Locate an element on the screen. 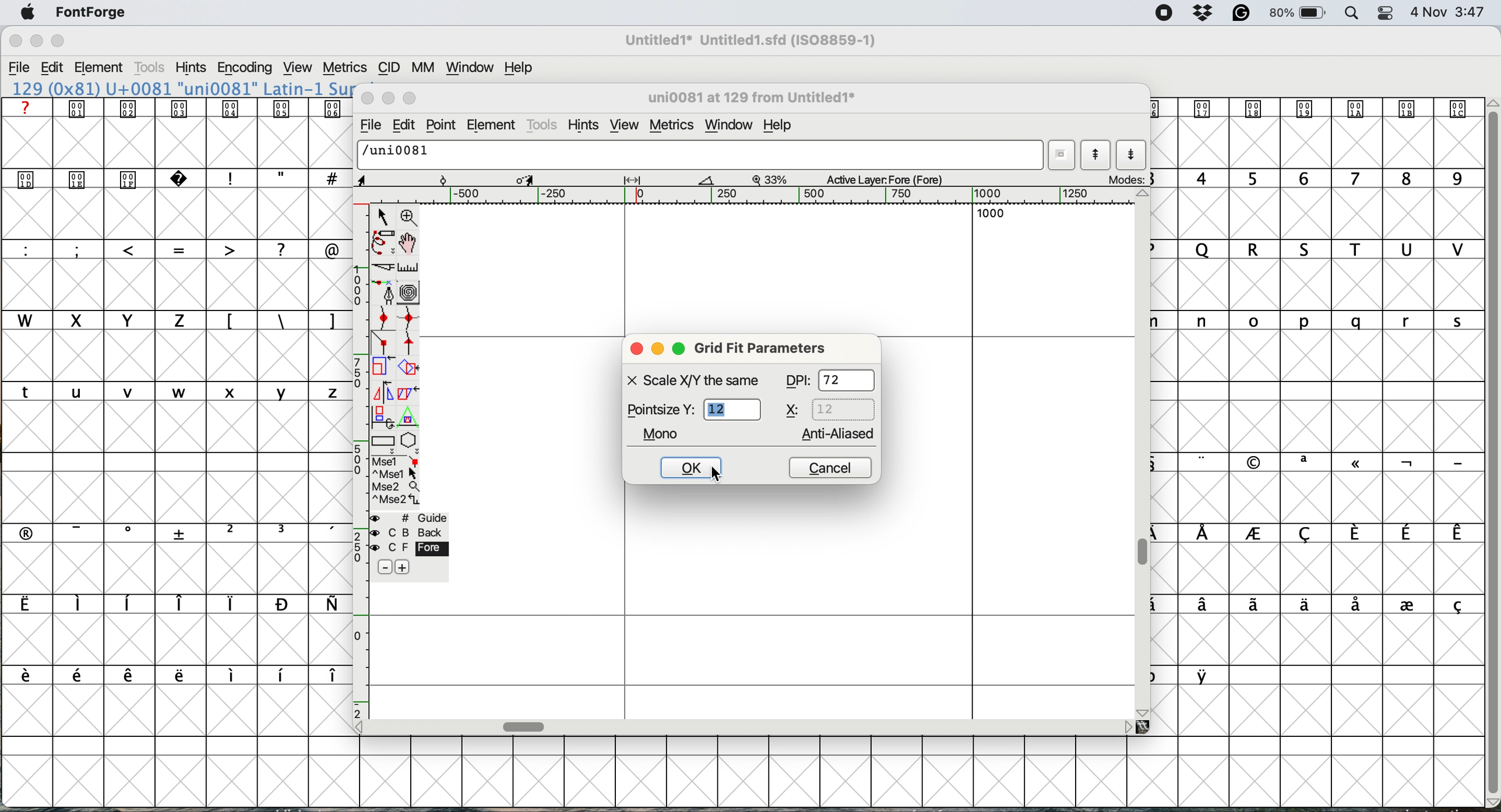 The image size is (1501, 812). DPI is located at coordinates (827, 380).